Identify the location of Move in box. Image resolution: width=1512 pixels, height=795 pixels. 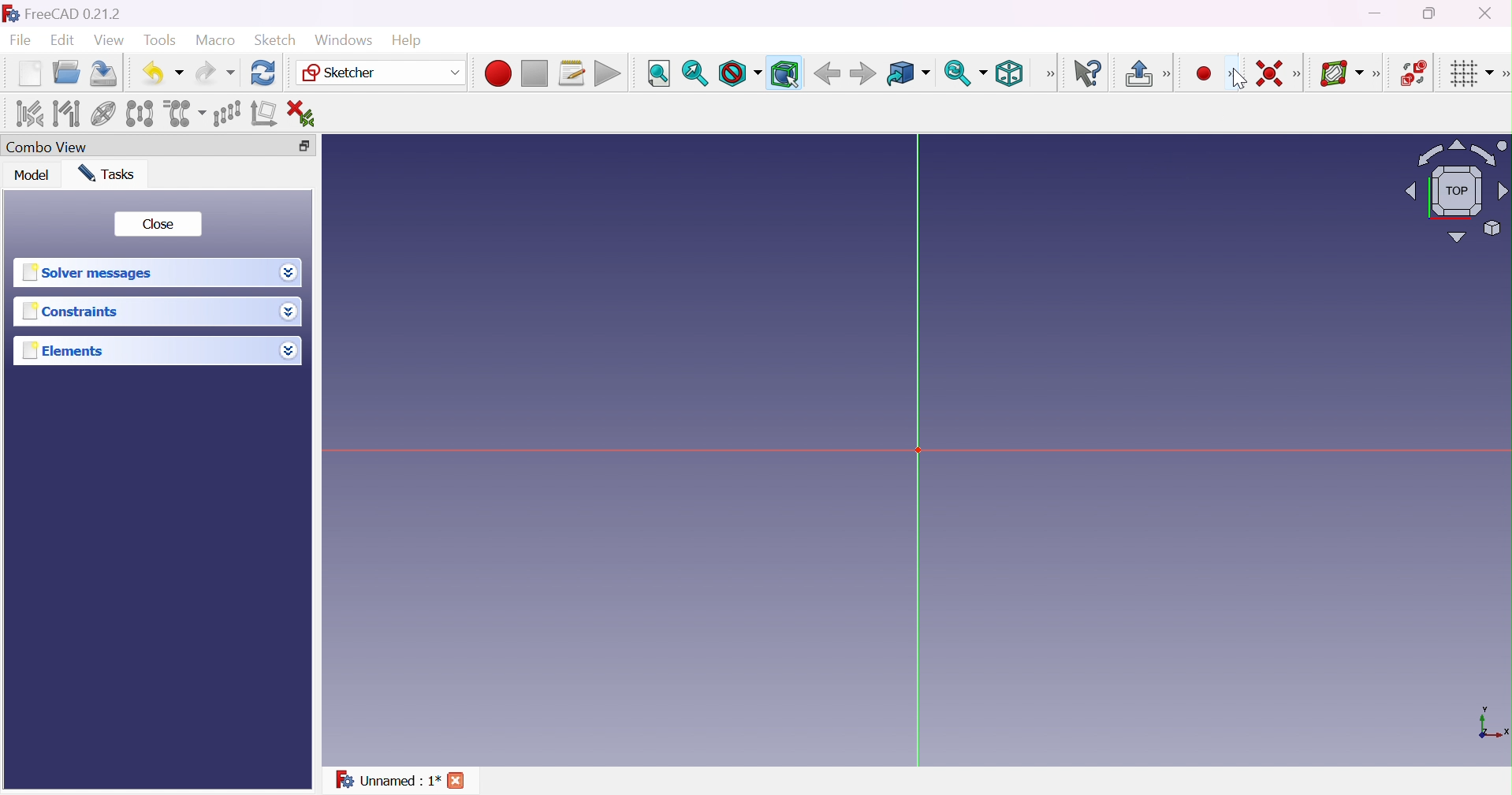
(907, 74).